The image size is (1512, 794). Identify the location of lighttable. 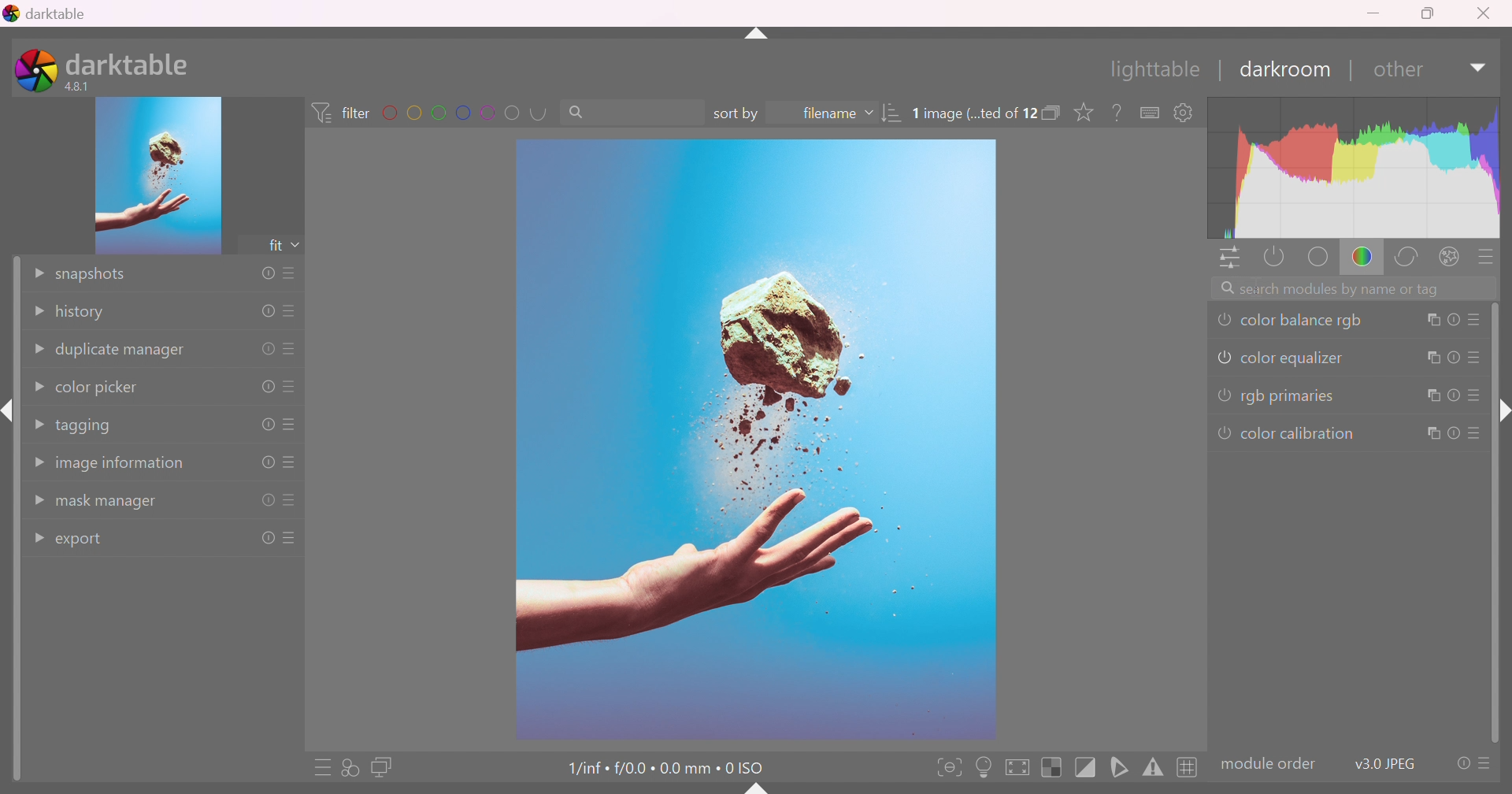
(1151, 70).